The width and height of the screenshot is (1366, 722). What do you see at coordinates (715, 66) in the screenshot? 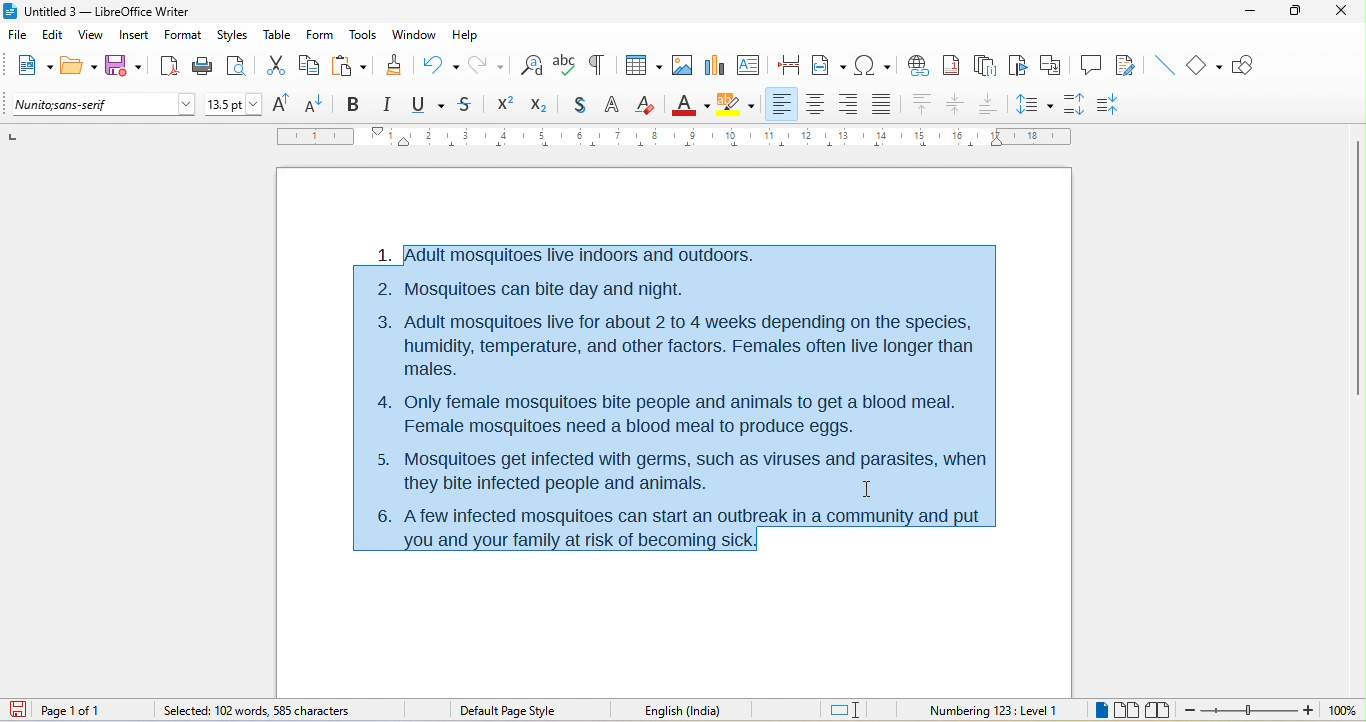
I see `chart` at bounding box center [715, 66].